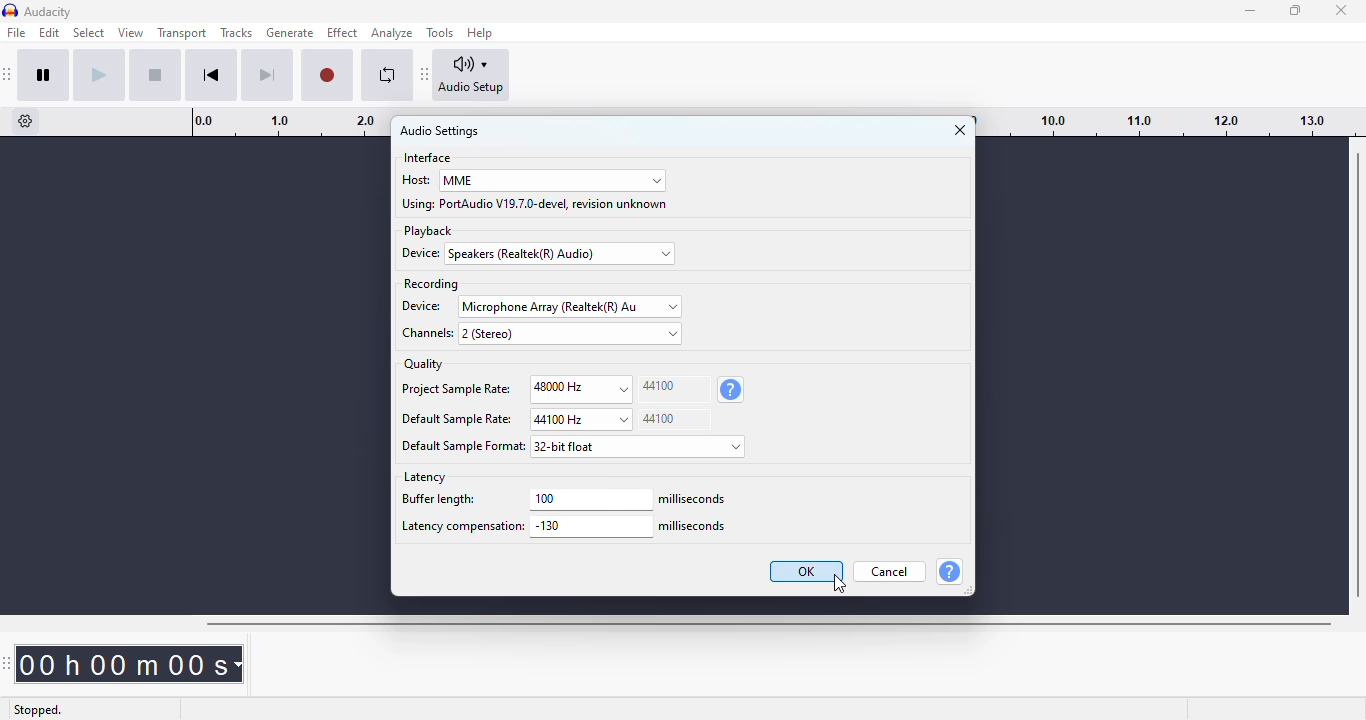 Image resolution: width=1366 pixels, height=720 pixels. I want to click on quality, so click(424, 364).